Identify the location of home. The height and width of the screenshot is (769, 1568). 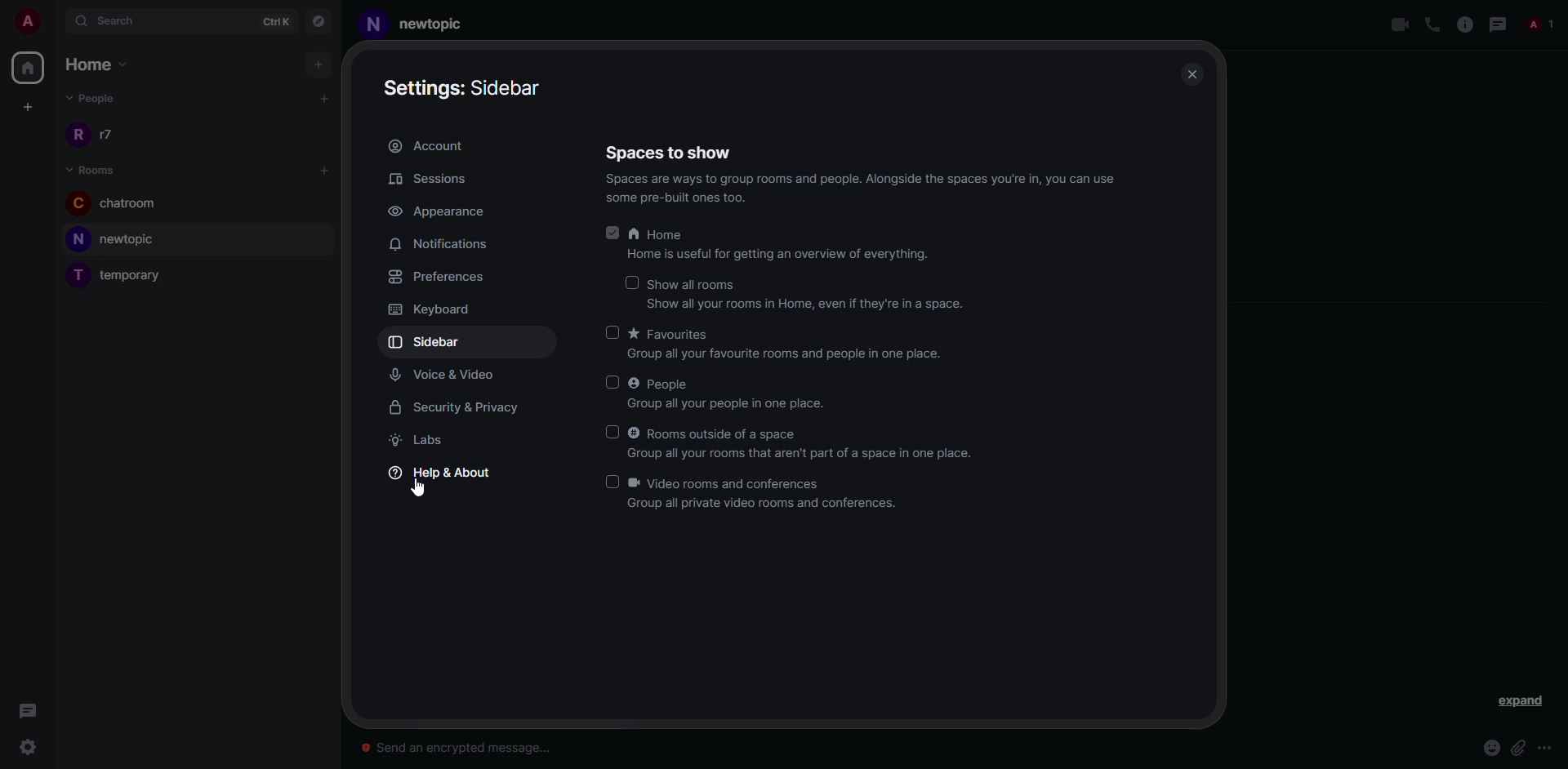
(104, 64).